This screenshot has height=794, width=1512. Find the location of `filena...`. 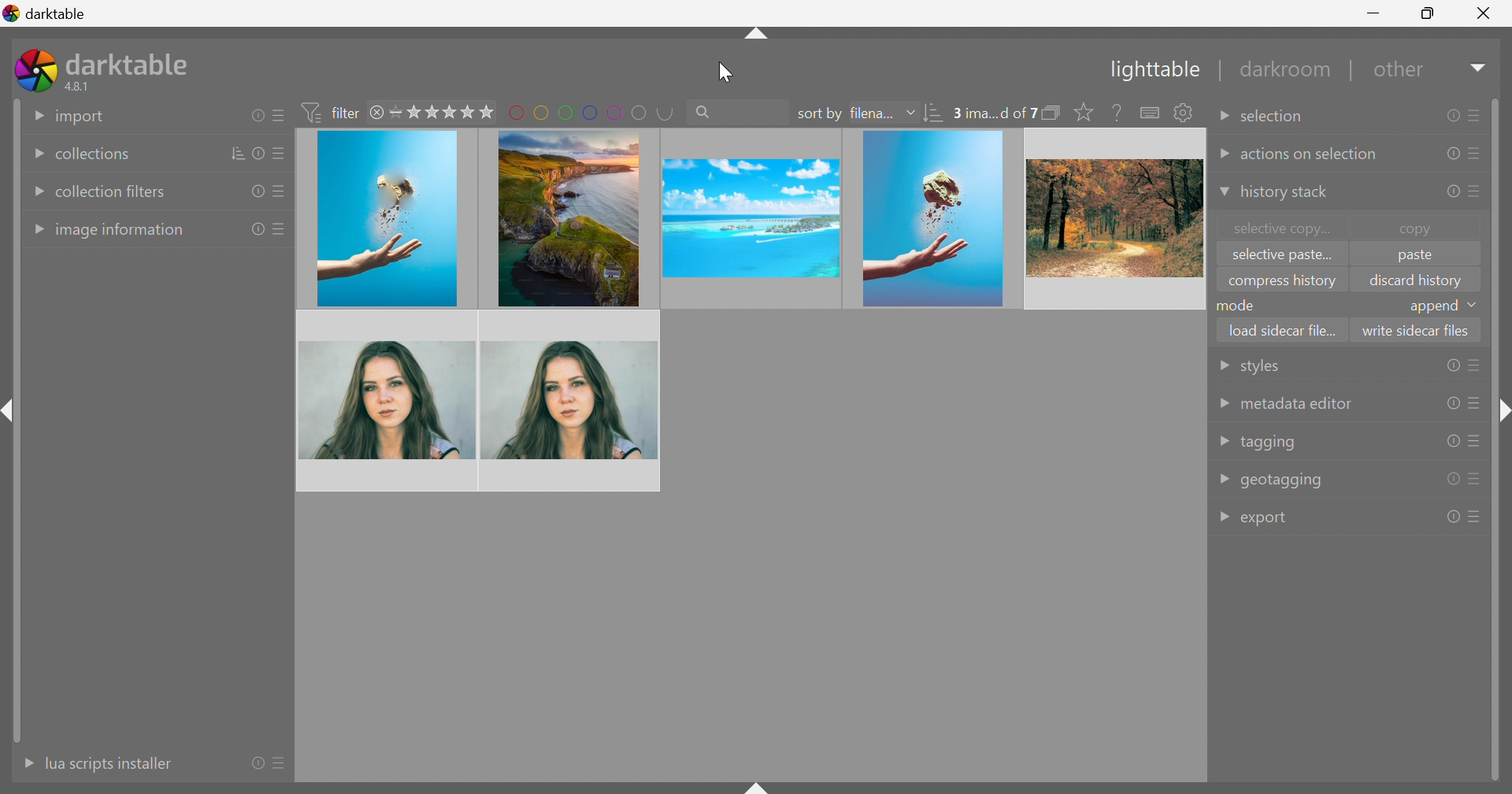

filena... is located at coordinates (870, 114).